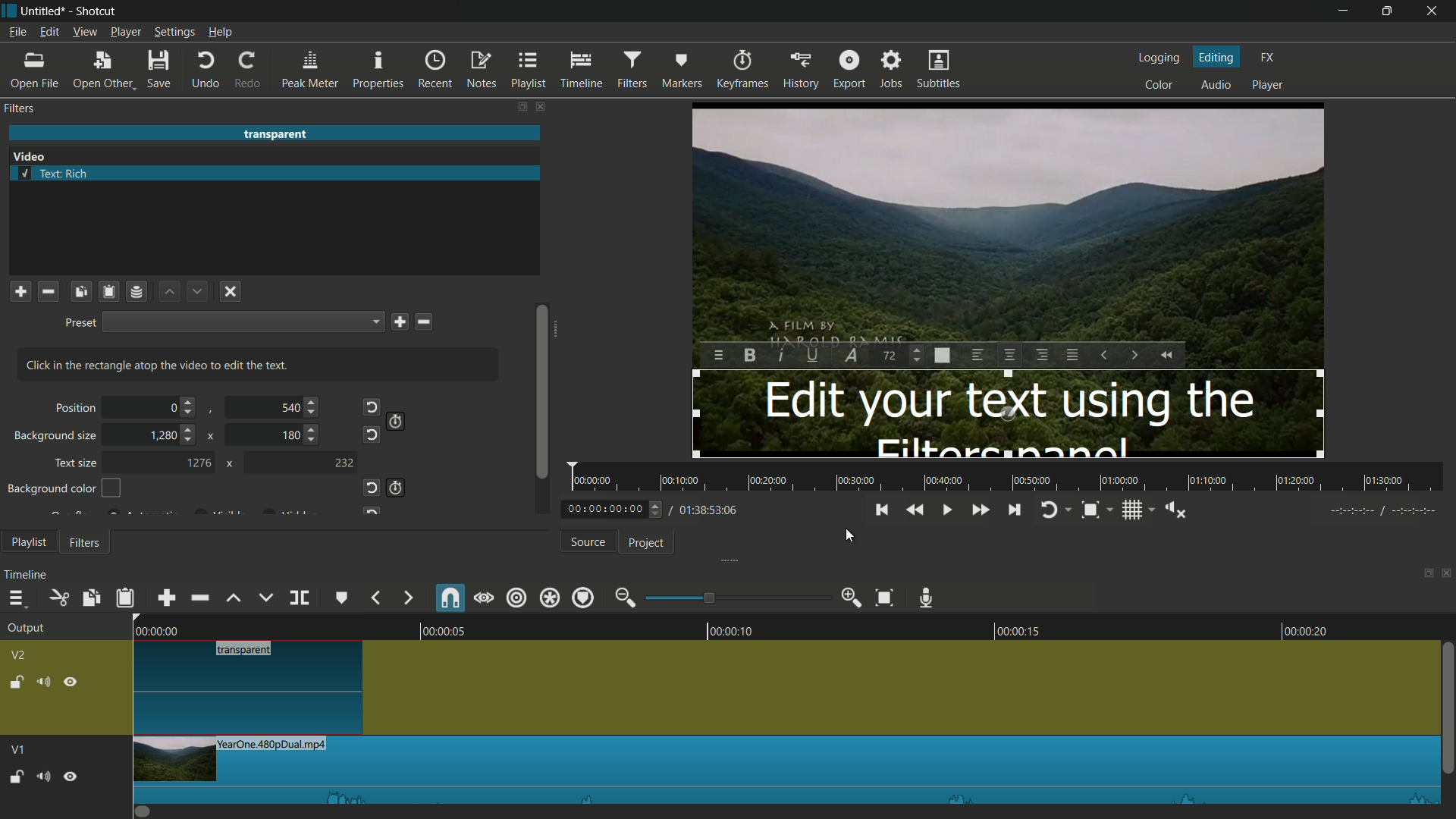 The height and width of the screenshot is (819, 1456). What do you see at coordinates (1103, 356) in the screenshot?
I see `backward` at bounding box center [1103, 356].